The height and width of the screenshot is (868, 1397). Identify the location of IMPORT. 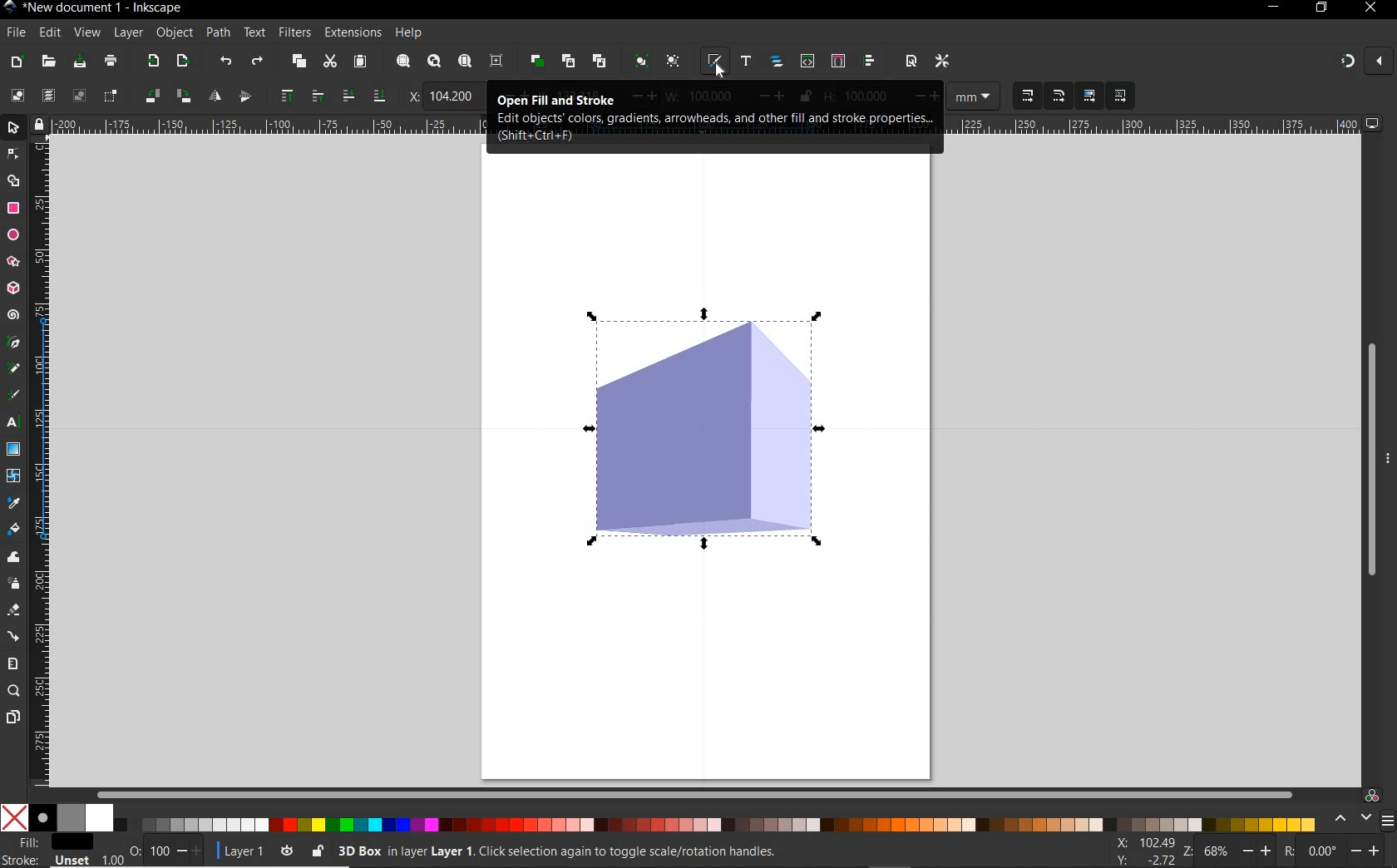
(153, 62).